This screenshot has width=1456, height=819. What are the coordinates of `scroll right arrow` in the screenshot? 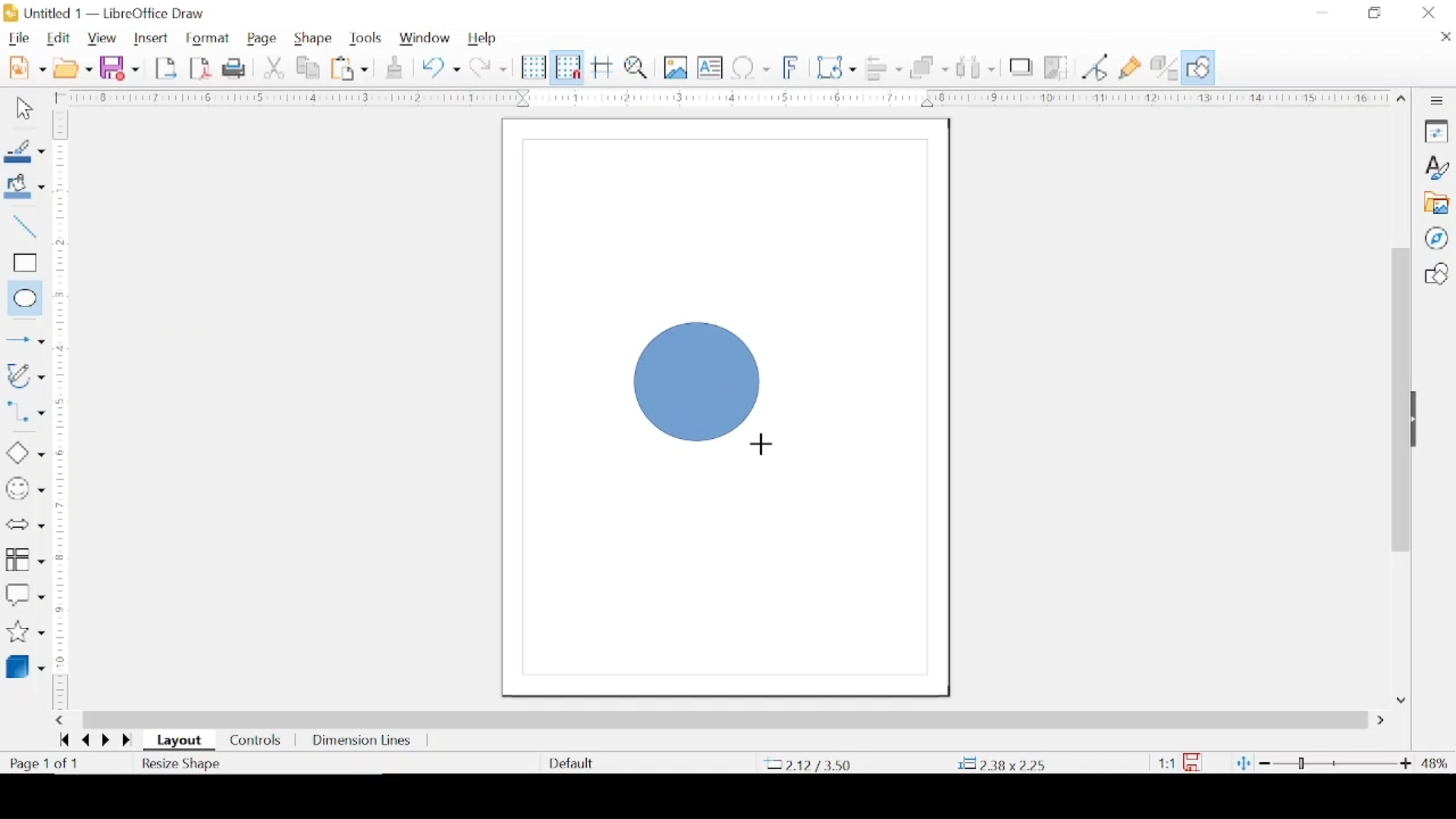 It's located at (1381, 720).